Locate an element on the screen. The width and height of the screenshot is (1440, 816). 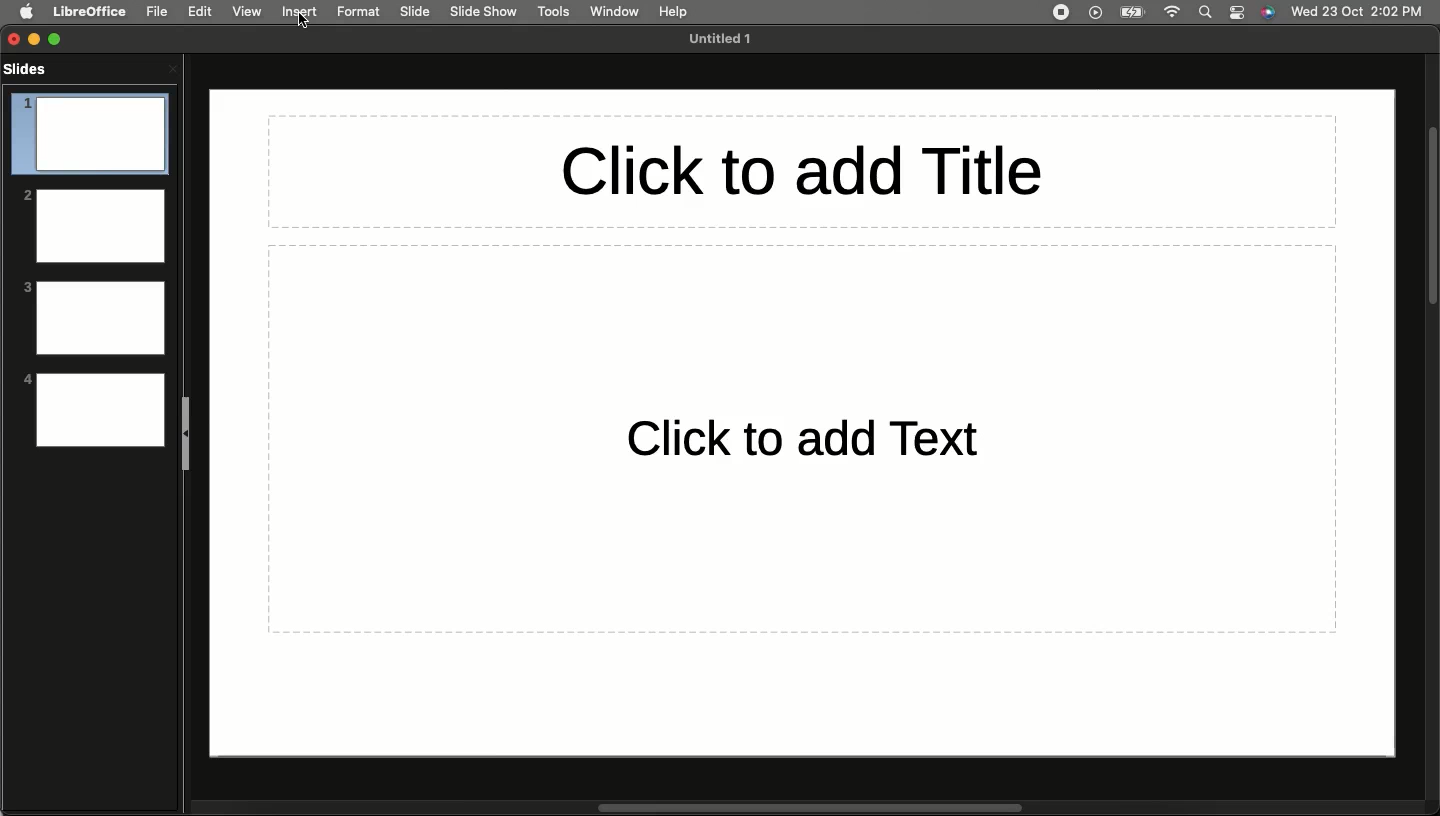
Format is located at coordinates (359, 11).